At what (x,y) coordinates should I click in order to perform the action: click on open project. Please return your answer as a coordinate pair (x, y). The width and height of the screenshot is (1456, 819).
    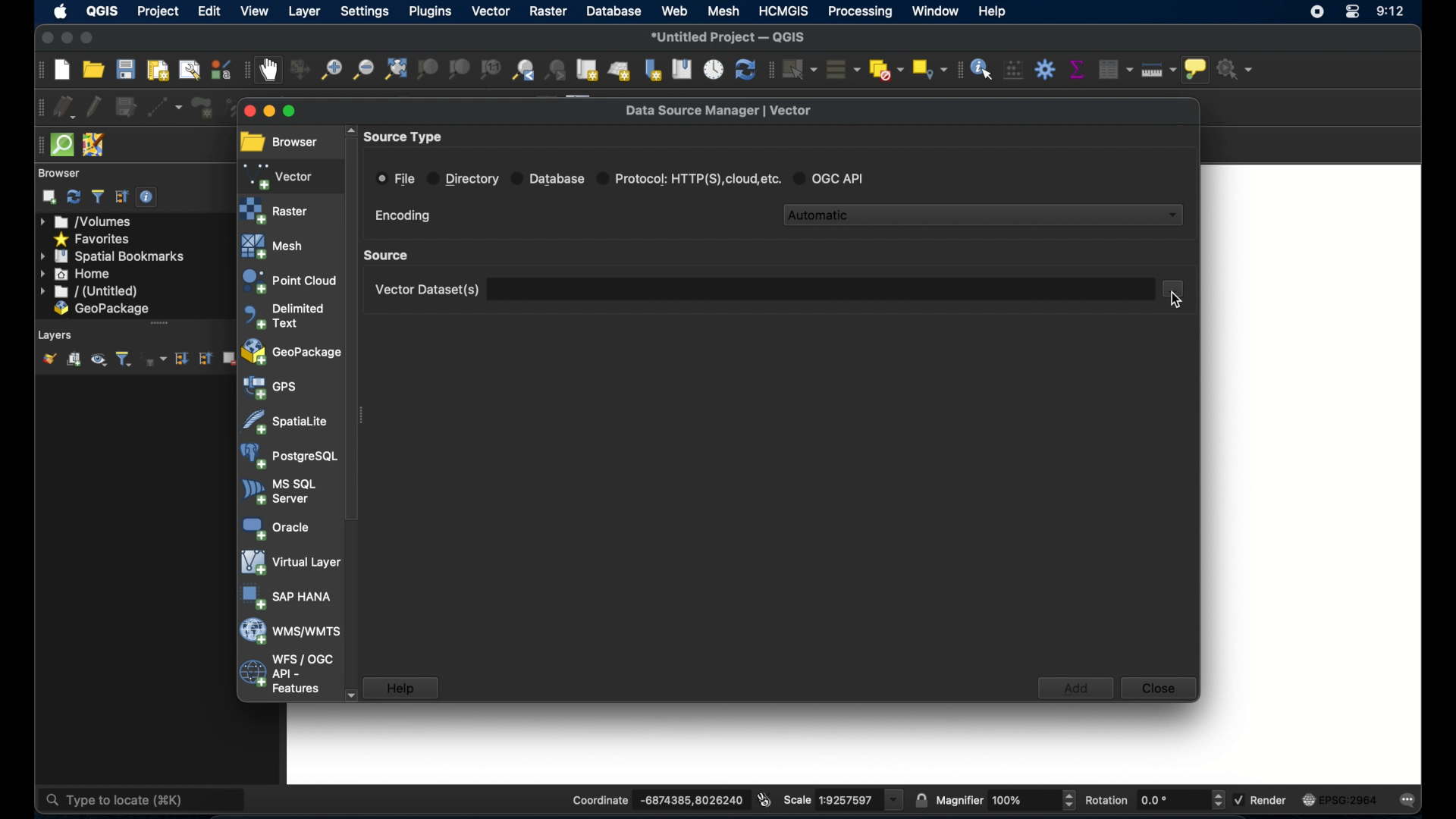
    Looking at the image, I should click on (93, 70).